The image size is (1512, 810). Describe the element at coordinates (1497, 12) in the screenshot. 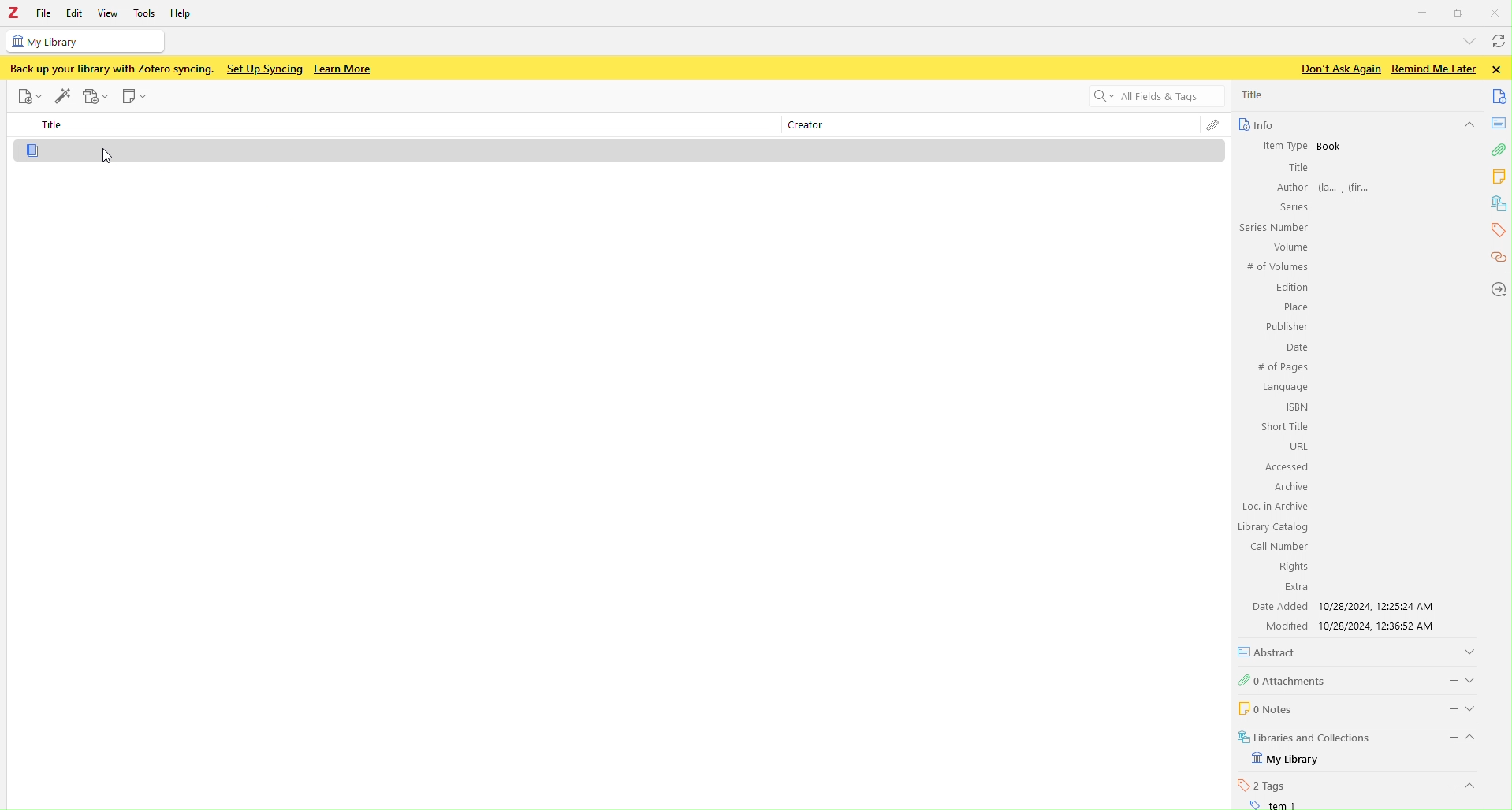

I see `Close` at that location.